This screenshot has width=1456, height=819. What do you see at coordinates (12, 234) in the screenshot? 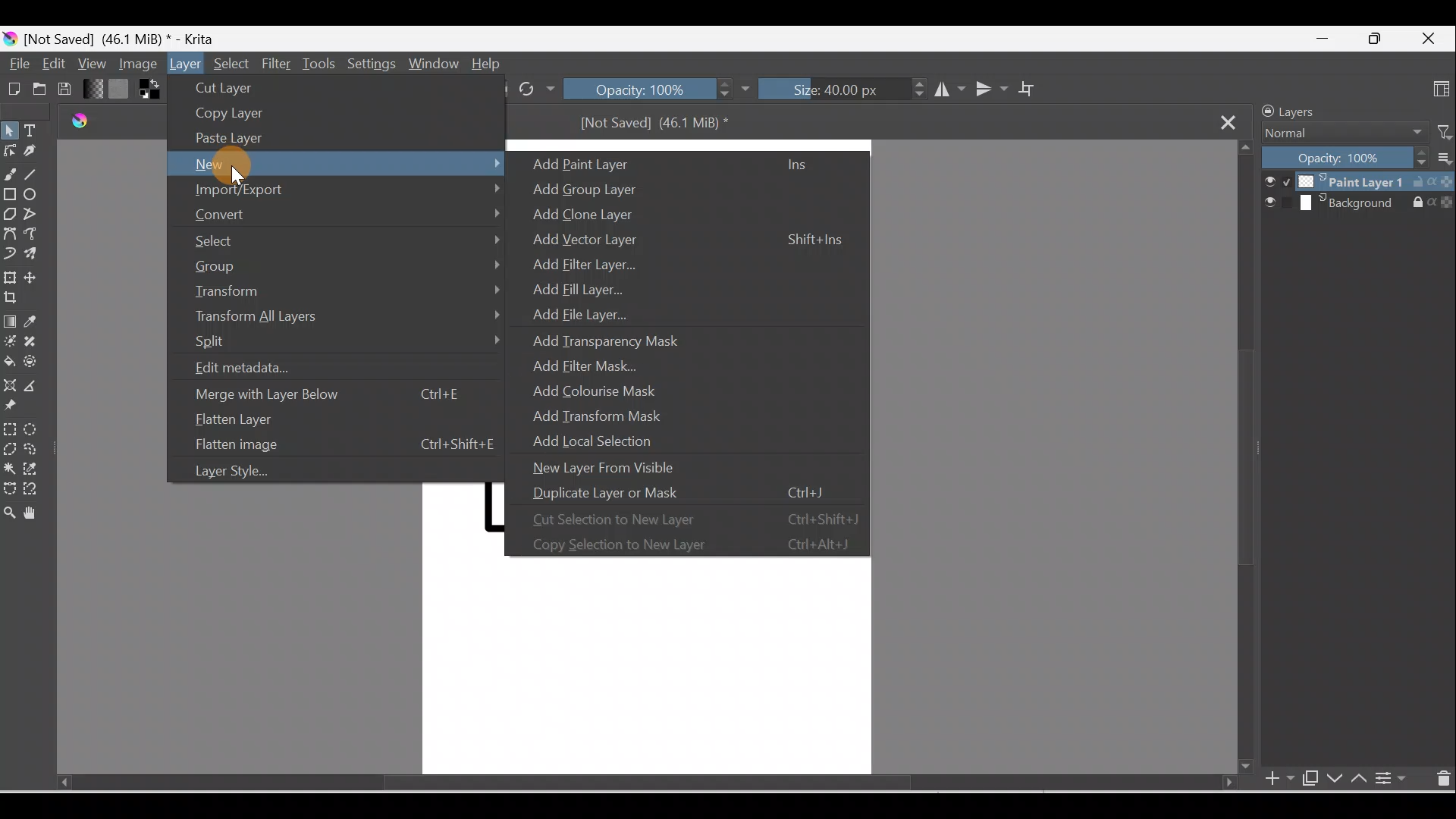
I see `Bezier curve tool` at bounding box center [12, 234].